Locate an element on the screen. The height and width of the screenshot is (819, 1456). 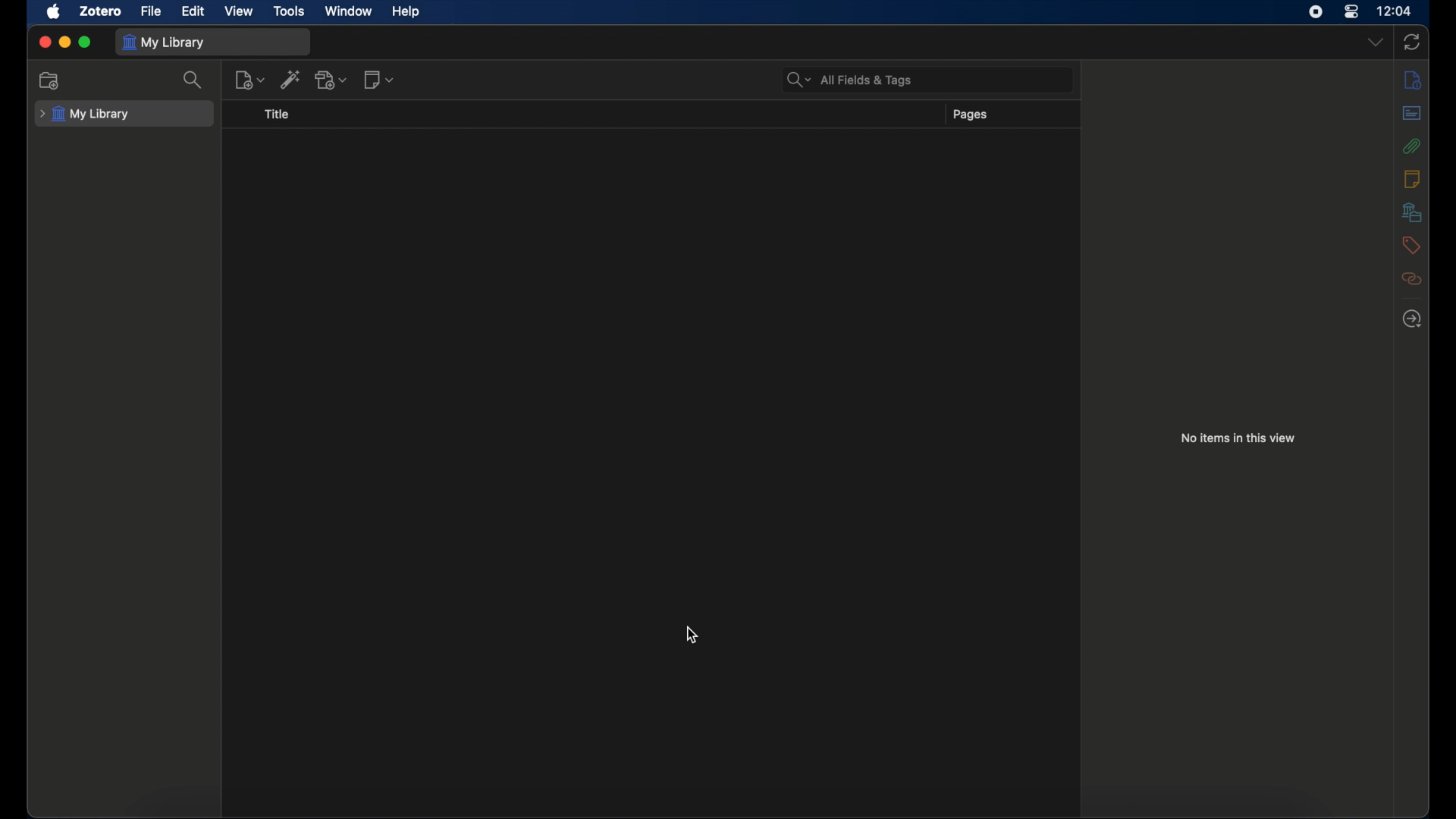
my library is located at coordinates (83, 115).